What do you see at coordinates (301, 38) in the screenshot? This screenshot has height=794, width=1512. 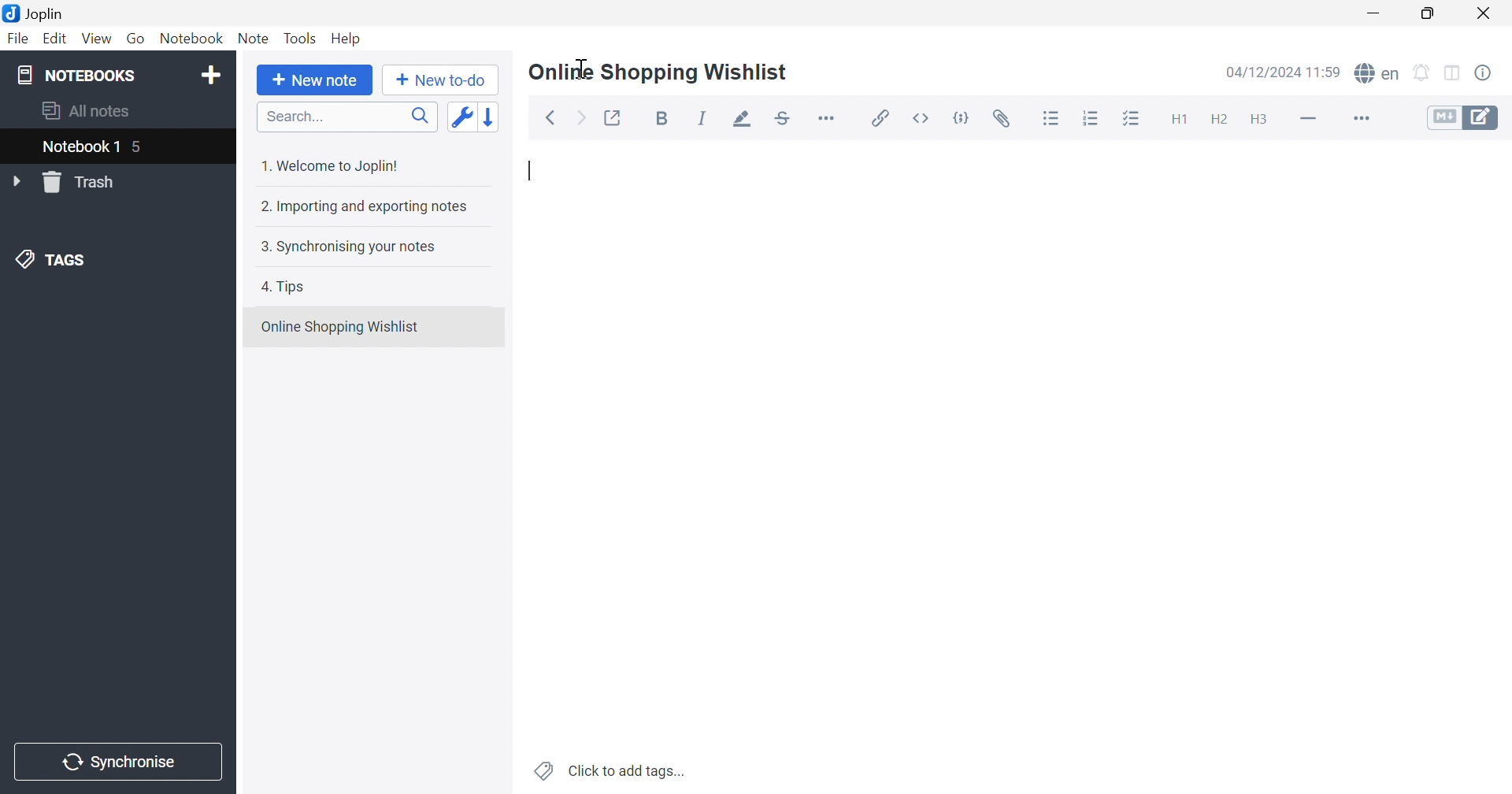 I see `Tools` at bounding box center [301, 38].